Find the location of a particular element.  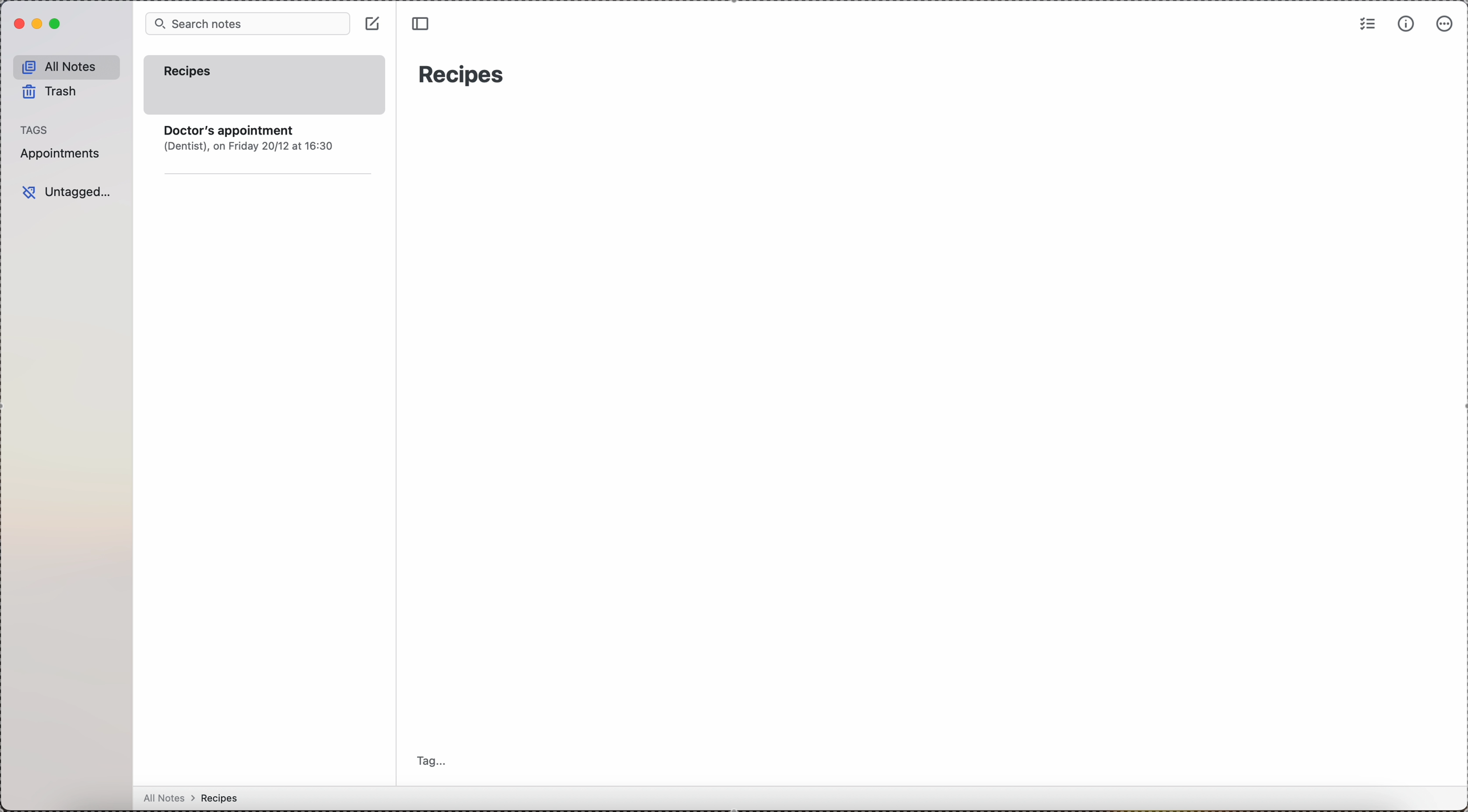

close simplenote is located at coordinates (17, 25).